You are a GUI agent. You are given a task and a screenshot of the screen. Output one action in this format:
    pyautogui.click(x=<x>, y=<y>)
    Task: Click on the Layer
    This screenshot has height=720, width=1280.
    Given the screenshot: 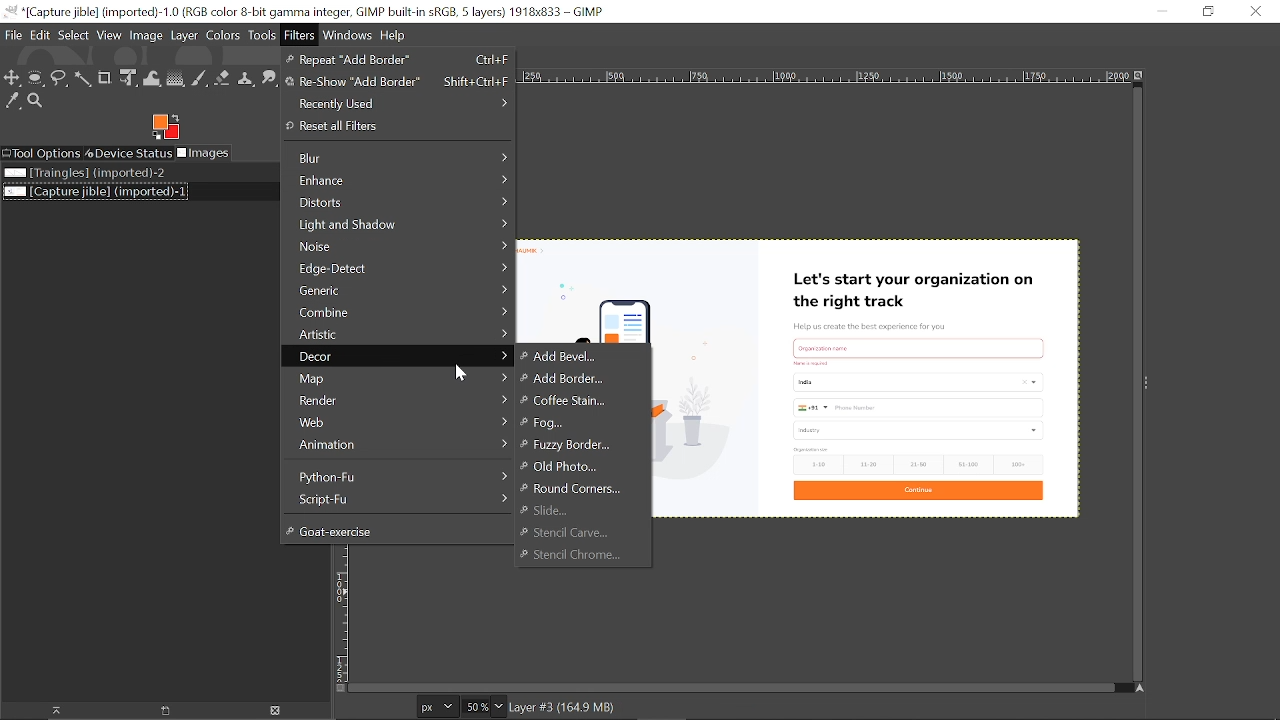 What is the action you would take?
    pyautogui.click(x=184, y=35)
    